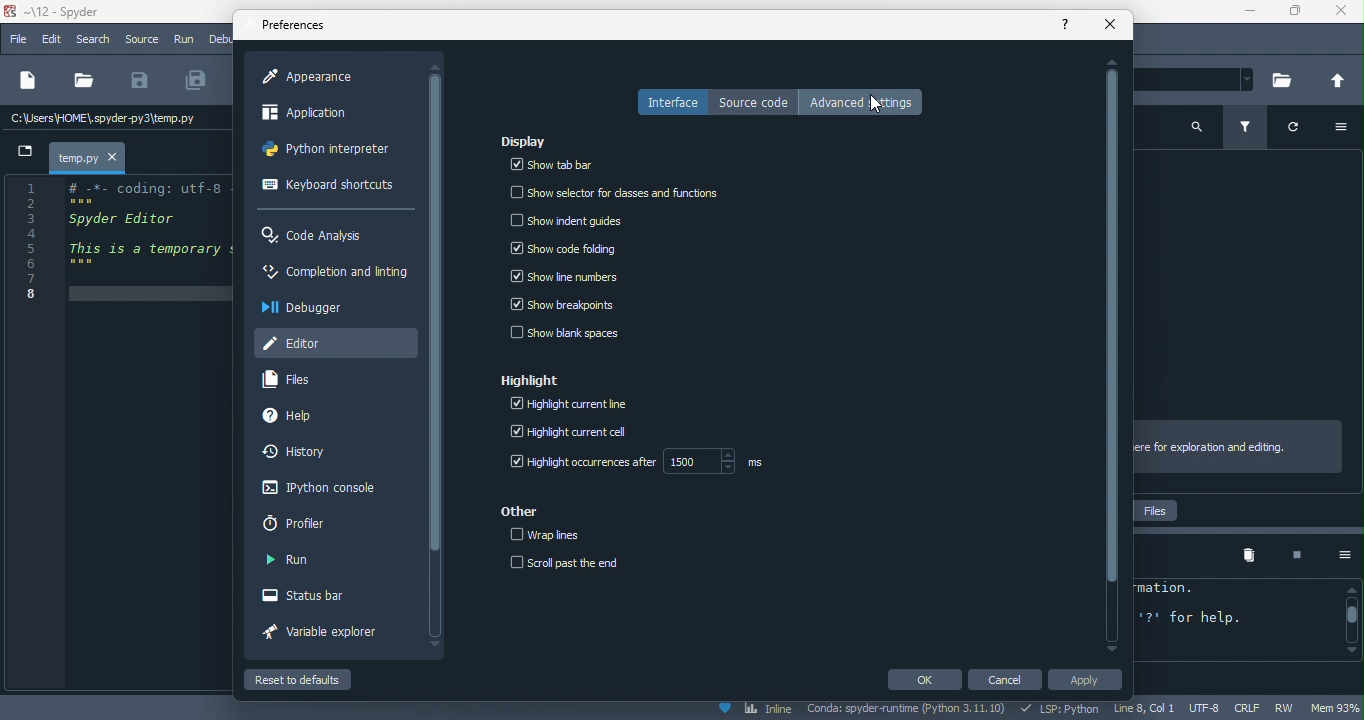 The width and height of the screenshot is (1364, 720). Describe the element at coordinates (220, 38) in the screenshot. I see `debug` at that location.